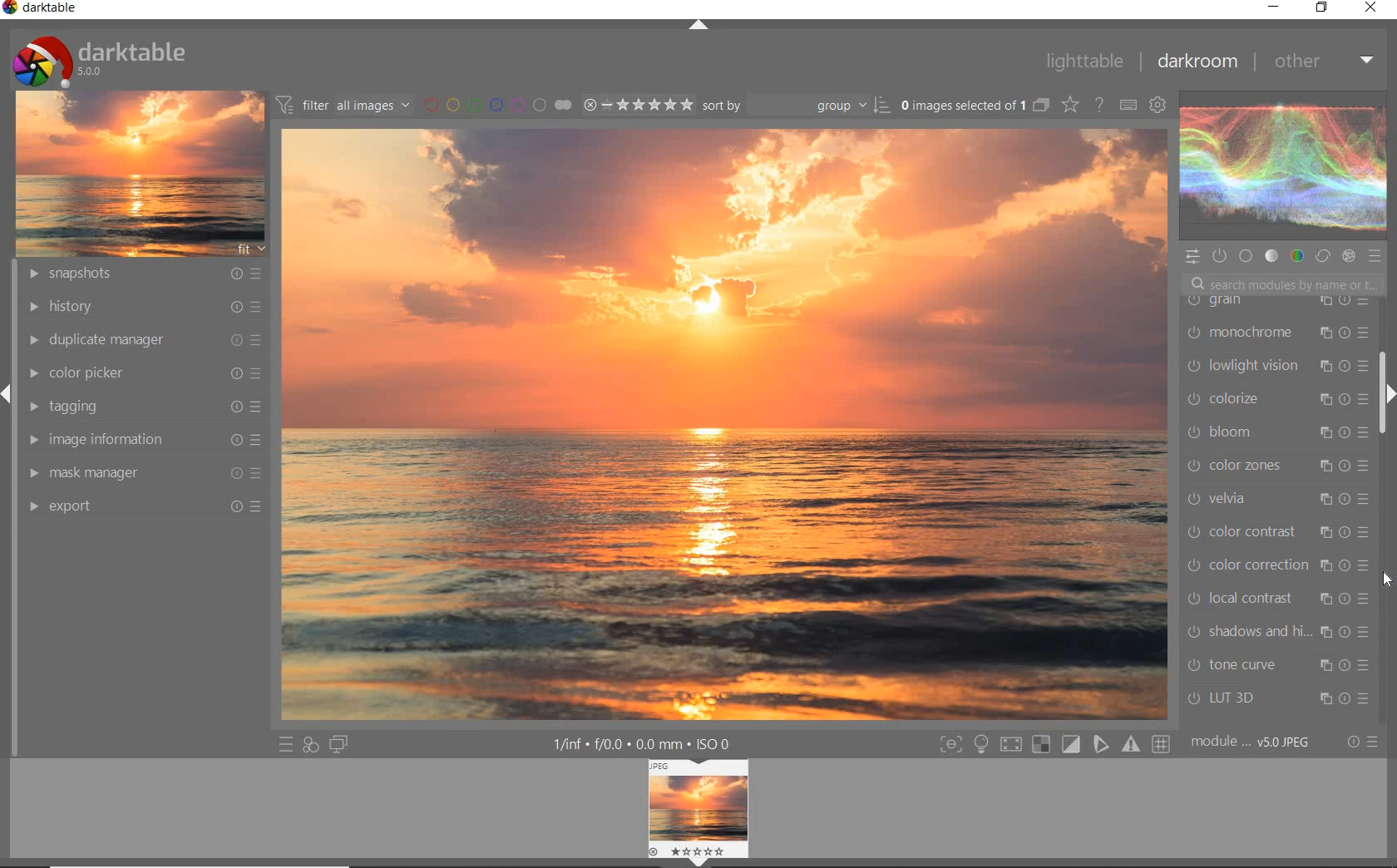 The image size is (1397, 868). Describe the element at coordinates (1247, 256) in the screenshot. I see `BASE` at that location.